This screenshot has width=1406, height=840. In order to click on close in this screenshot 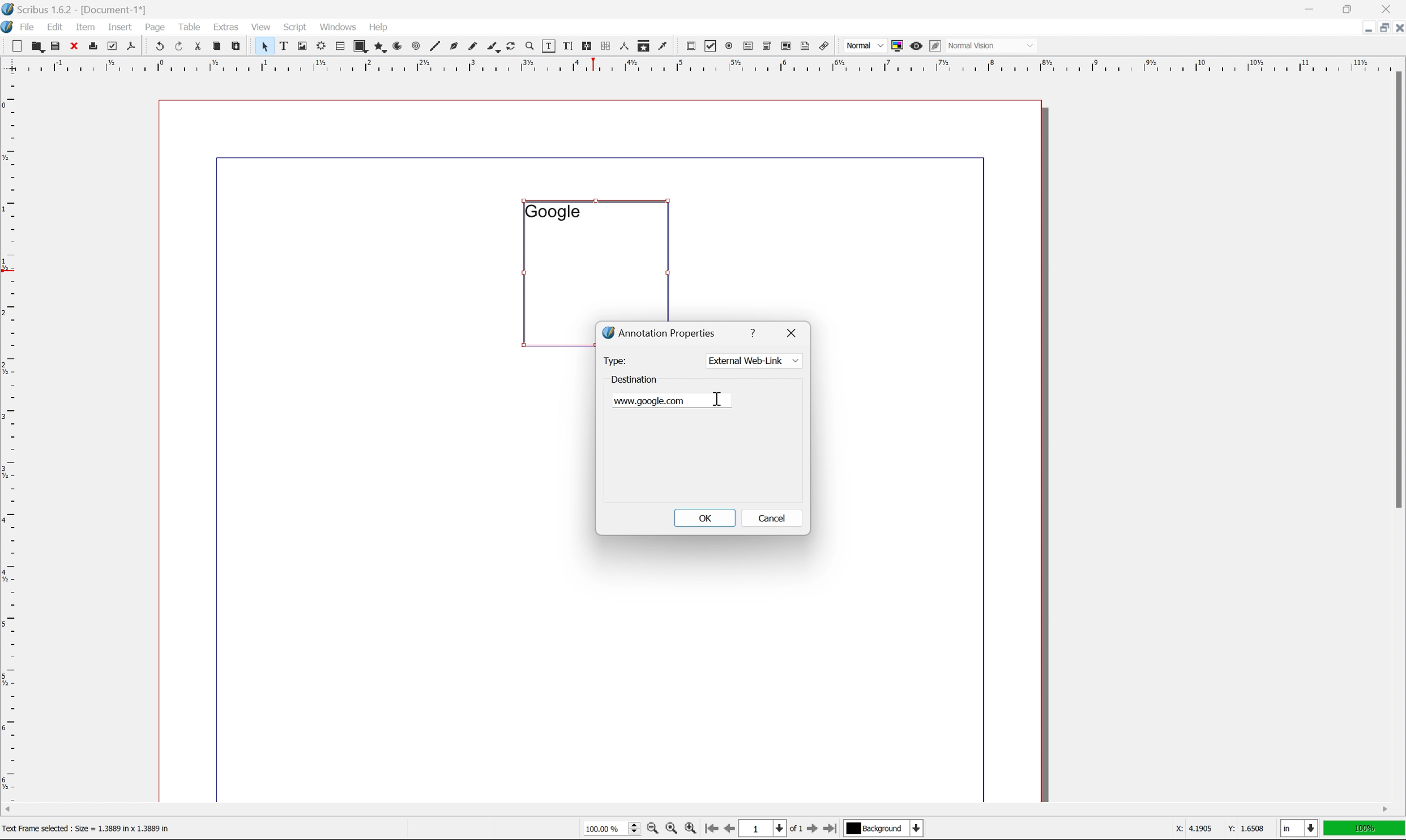, I will do `click(1397, 27)`.